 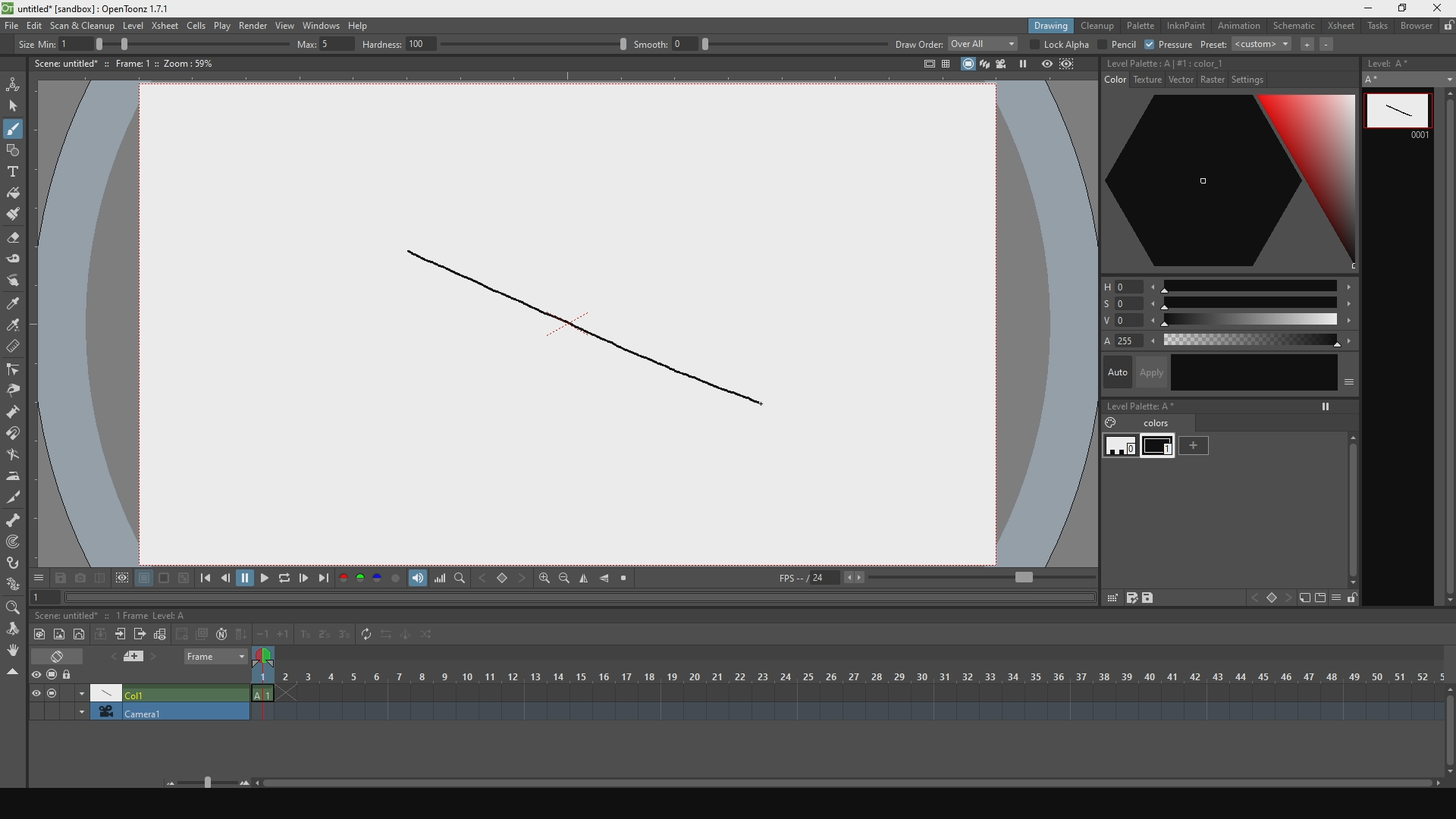 I want to click on scene frame, so click(x=845, y=676).